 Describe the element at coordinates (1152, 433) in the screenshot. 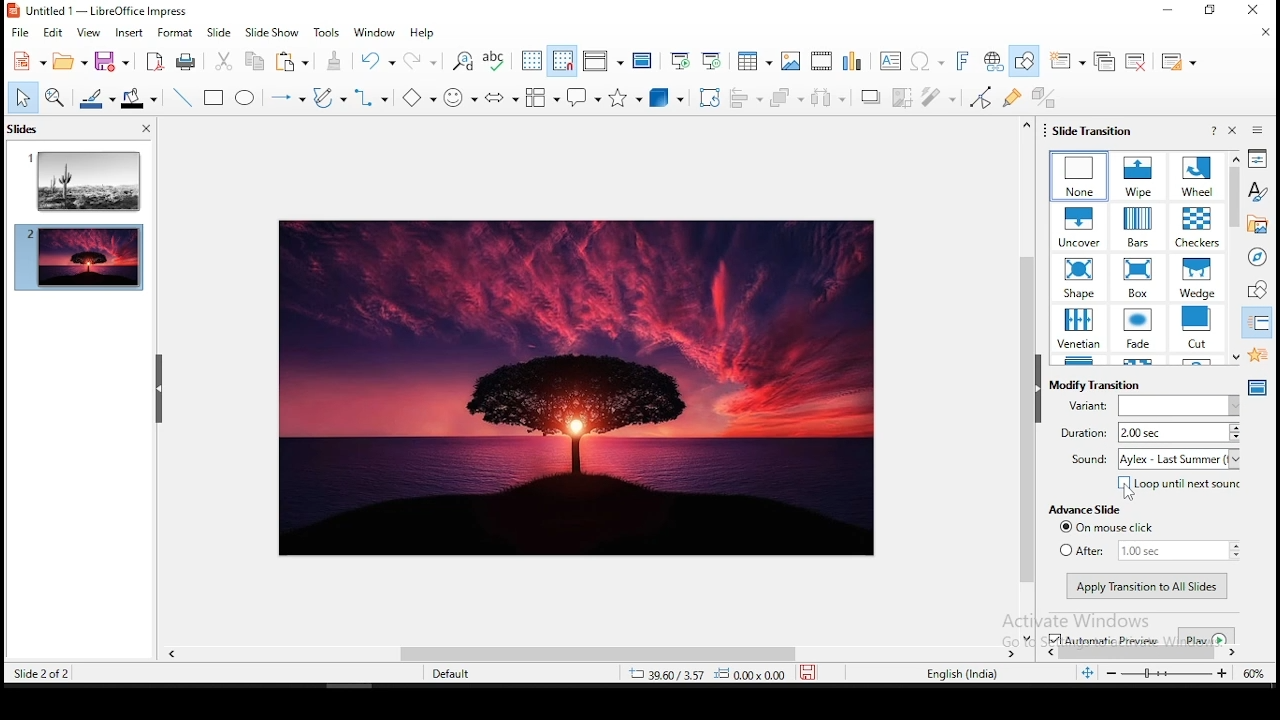

I see `duration 2.00 sec` at that location.